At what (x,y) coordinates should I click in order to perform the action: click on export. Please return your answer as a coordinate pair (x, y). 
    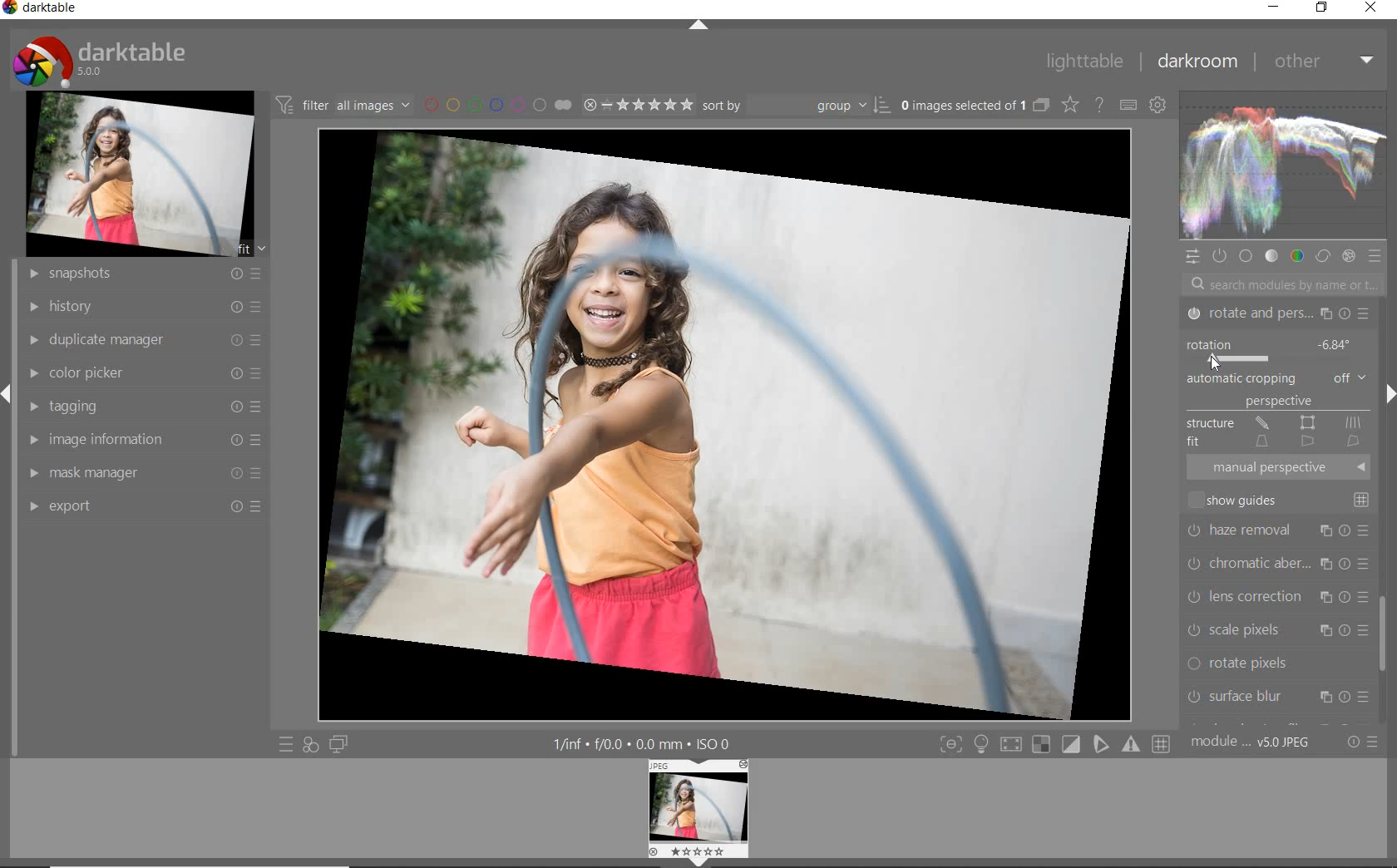
    Looking at the image, I should click on (146, 505).